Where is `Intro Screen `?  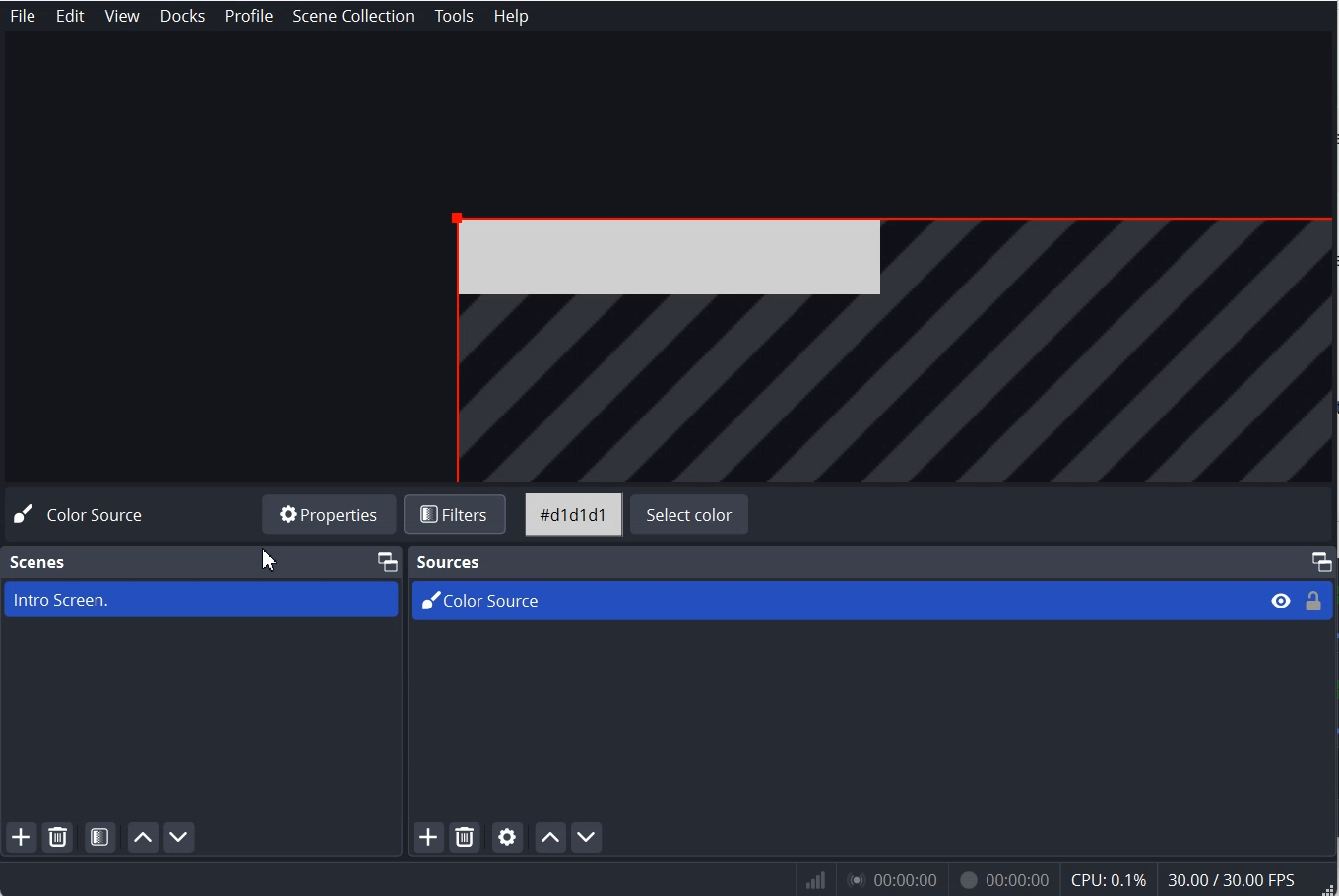 Intro Screen  is located at coordinates (199, 599).